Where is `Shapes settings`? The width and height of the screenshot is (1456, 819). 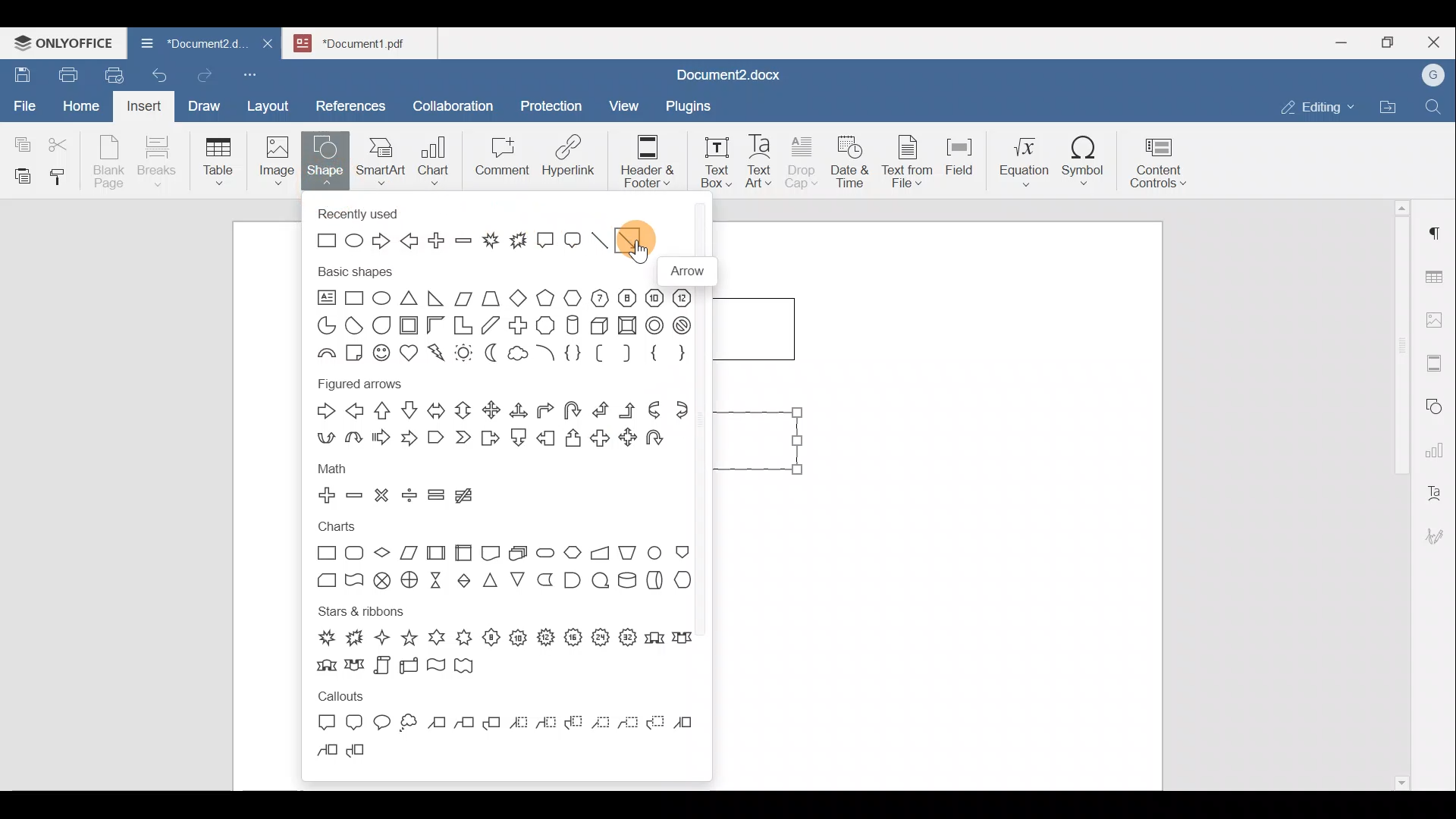
Shapes settings is located at coordinates (1437, 404).